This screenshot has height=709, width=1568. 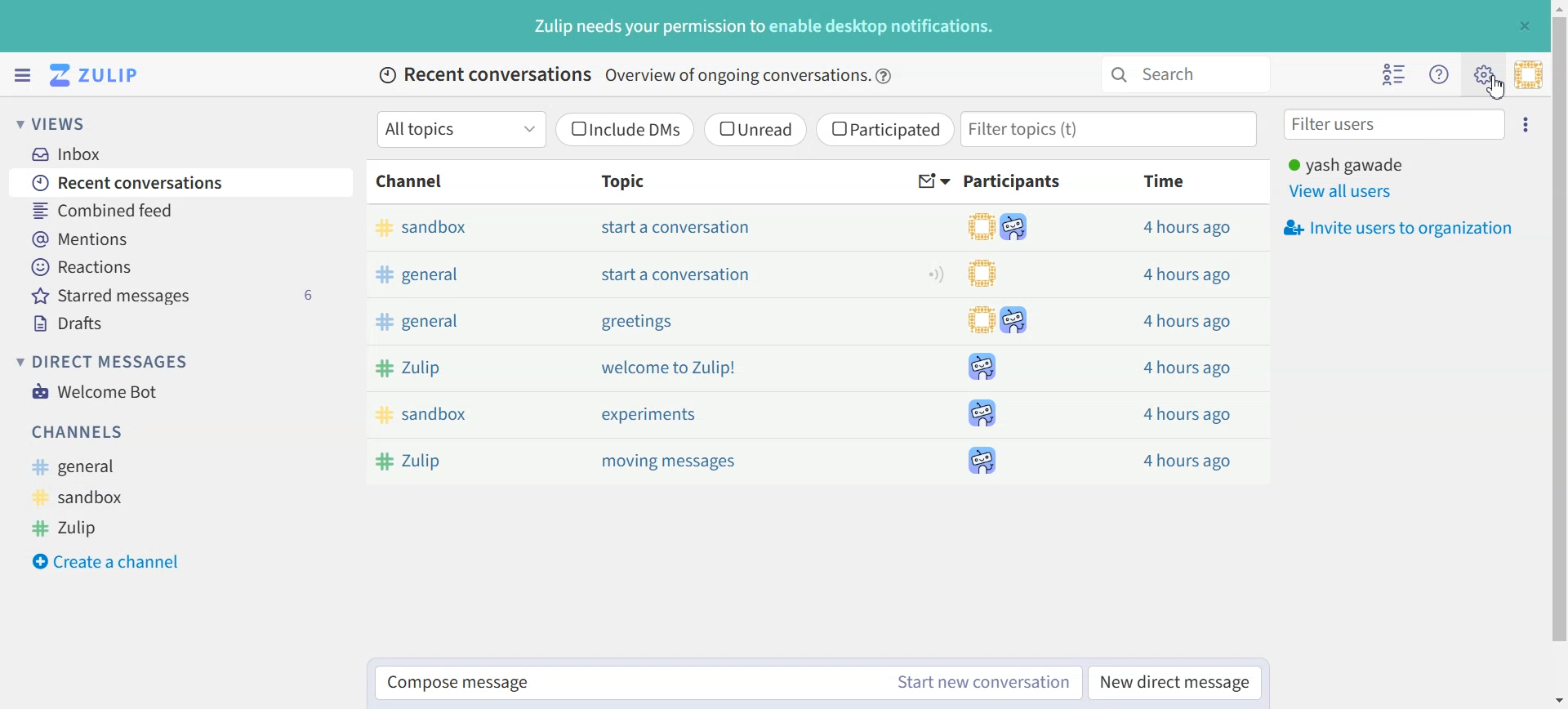 What do you see at coordinates (885, 76) in the screenshot?
I see `Help` at bounding box center [885, 76].